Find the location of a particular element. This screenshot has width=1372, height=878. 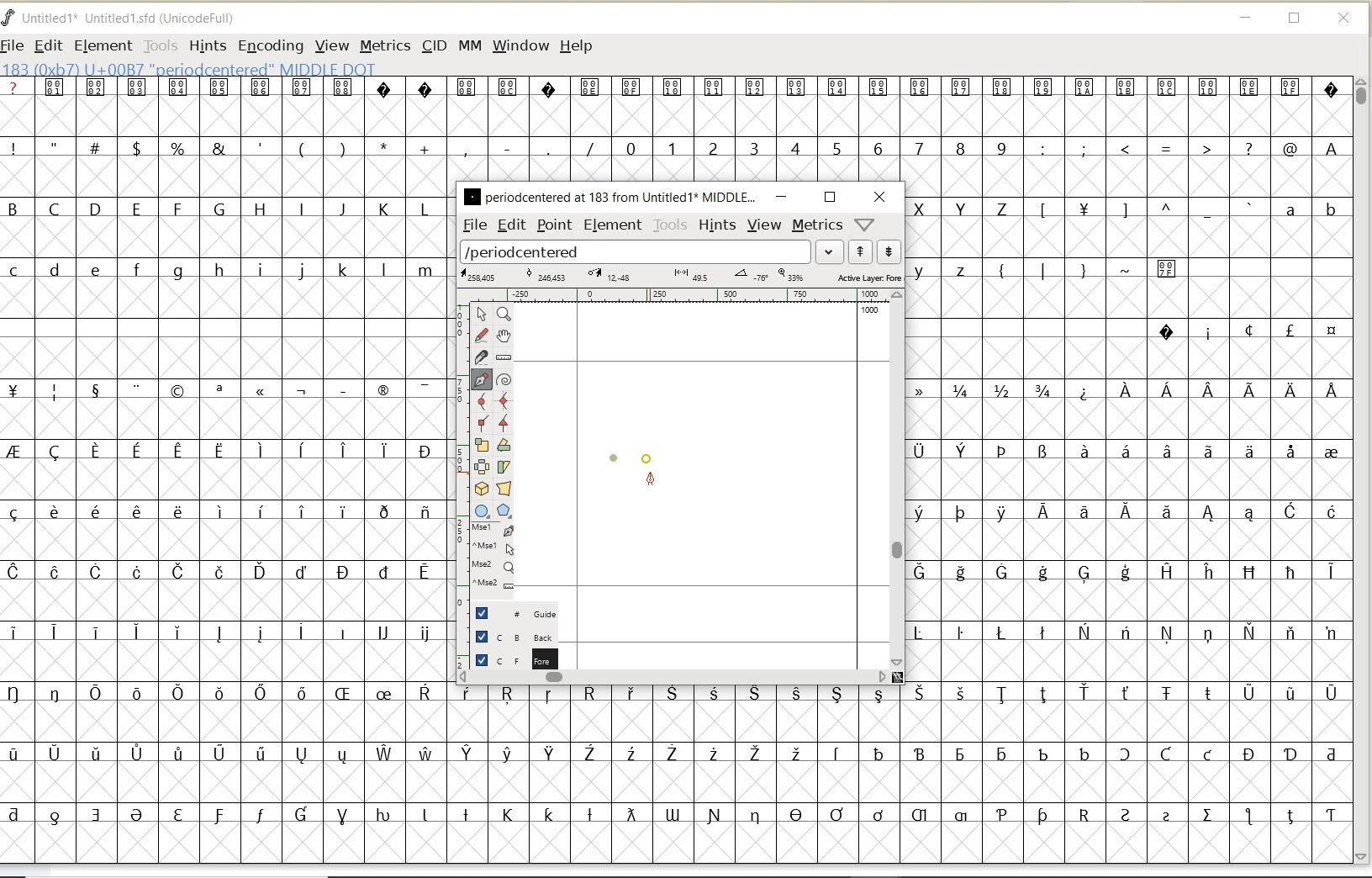

Add a corner point is located at coordinates (481, 422).